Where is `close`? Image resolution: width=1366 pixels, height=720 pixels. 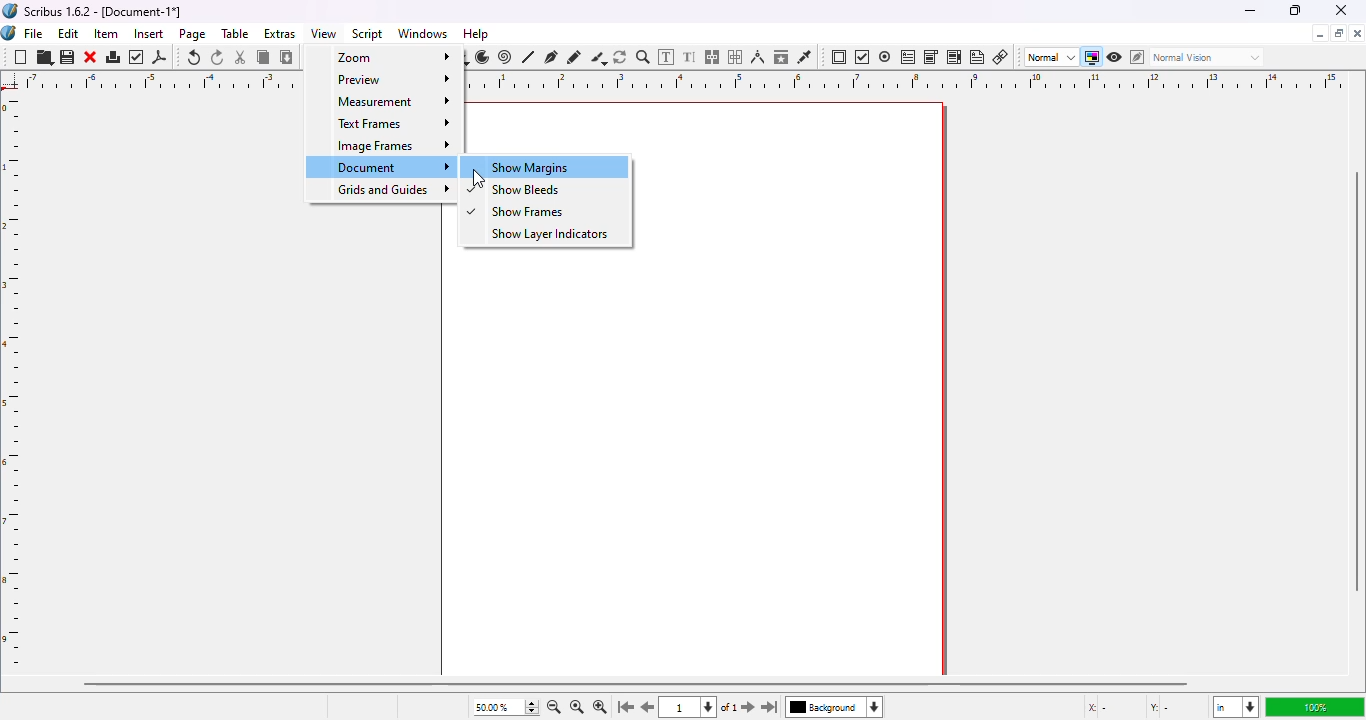 close is located at coordinates (1357, 33).